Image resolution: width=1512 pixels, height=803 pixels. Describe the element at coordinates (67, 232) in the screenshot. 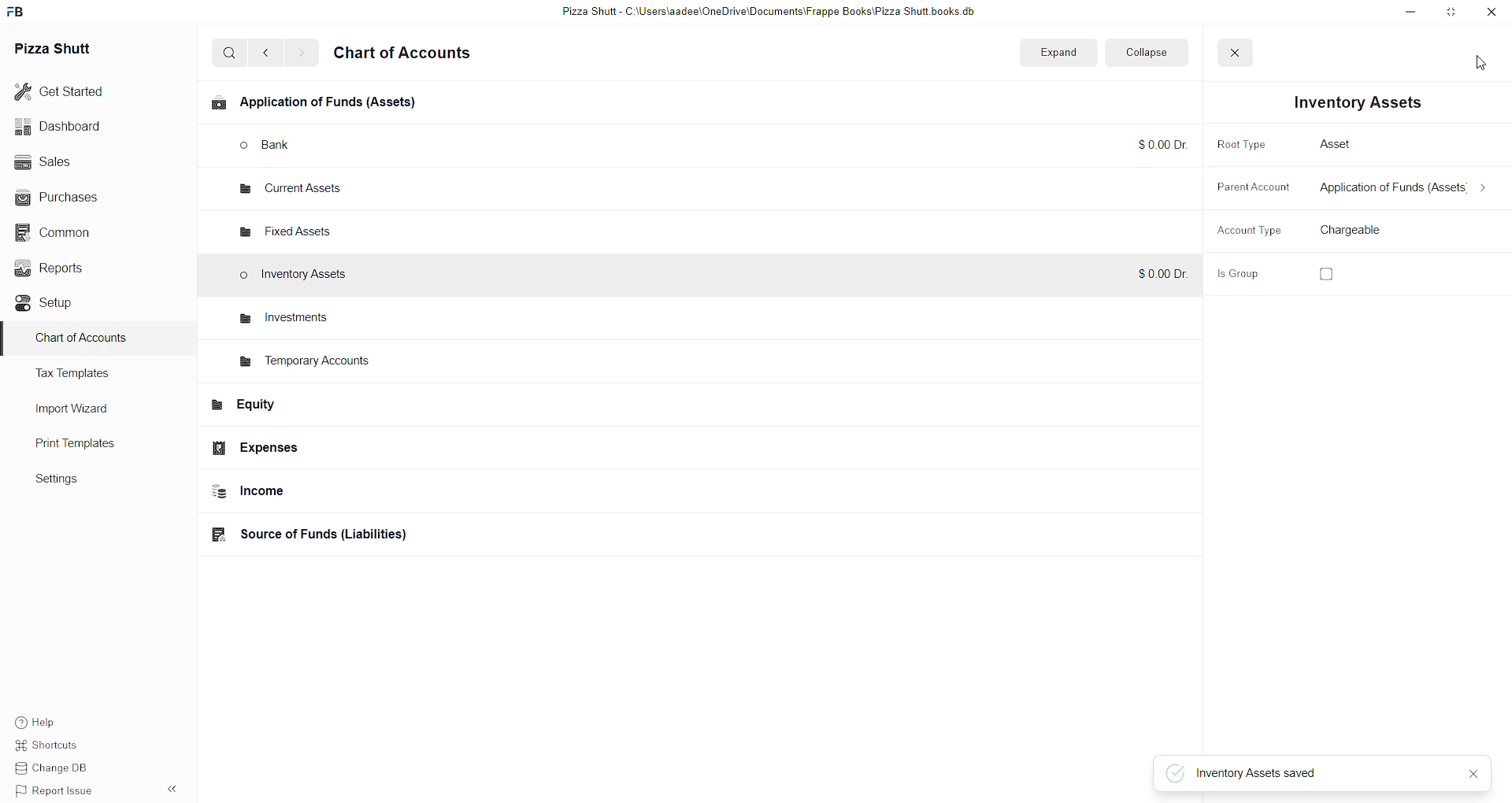

I see `Common ` at that location.